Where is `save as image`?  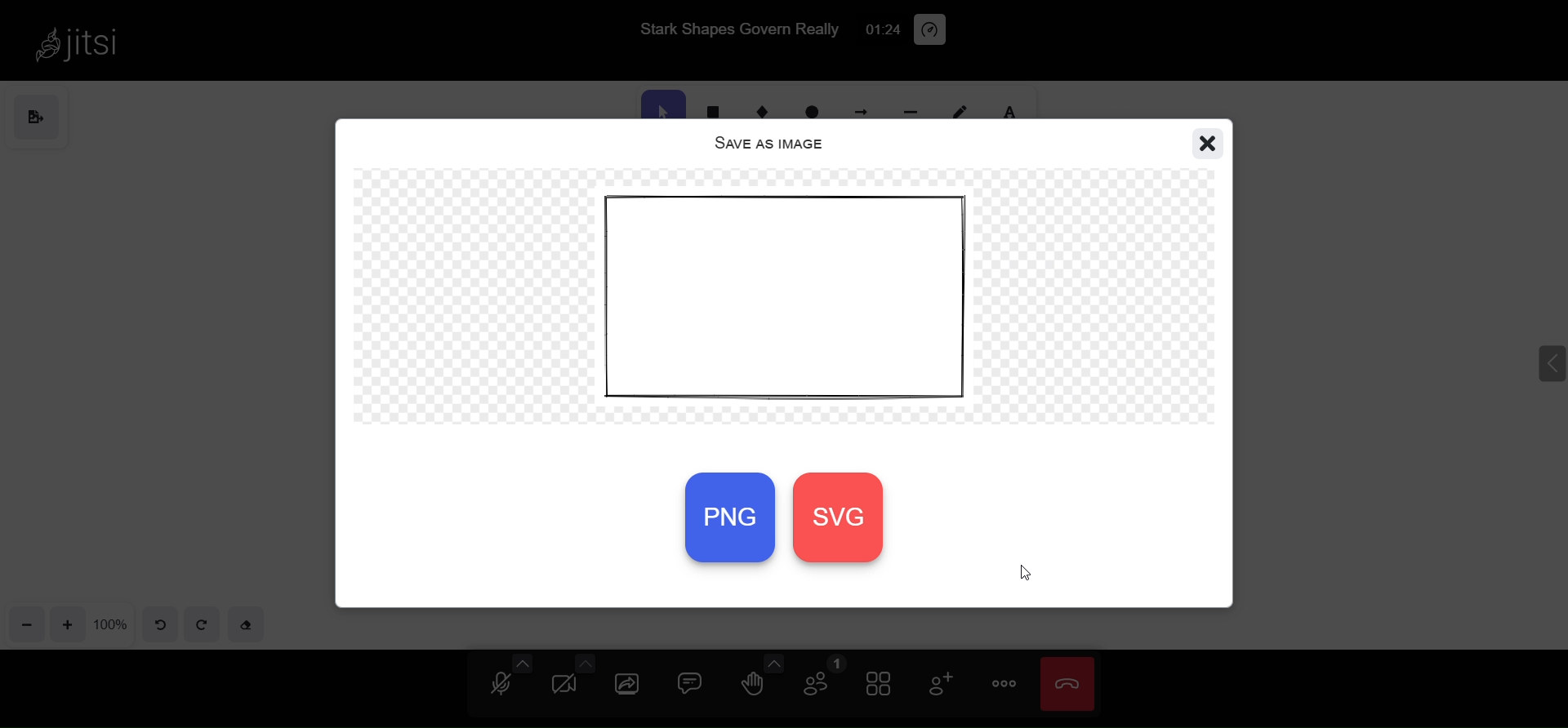 save as image is located at coordinates (764, 140).